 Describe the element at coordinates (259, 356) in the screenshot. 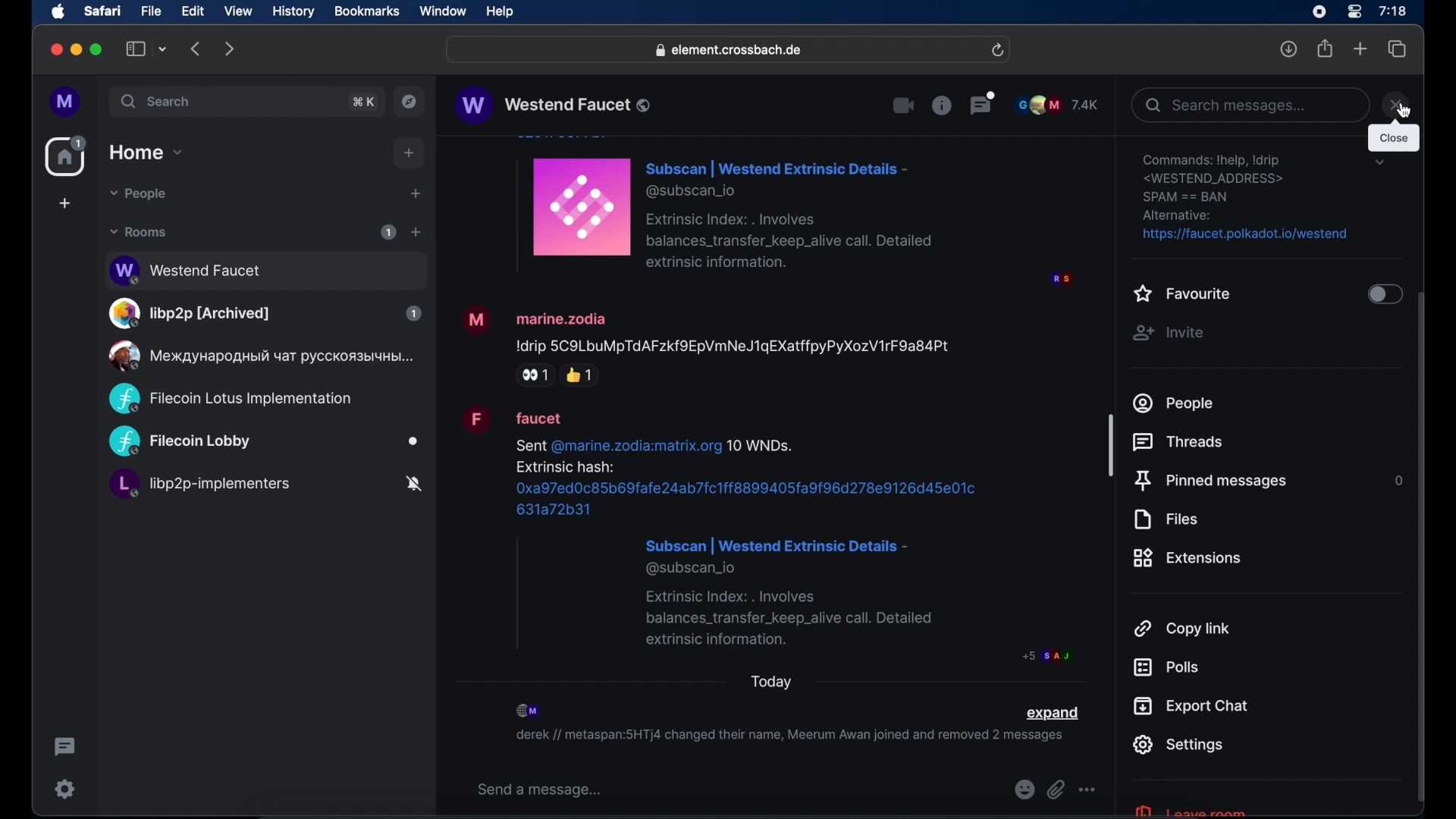

I see `public room` at that location.